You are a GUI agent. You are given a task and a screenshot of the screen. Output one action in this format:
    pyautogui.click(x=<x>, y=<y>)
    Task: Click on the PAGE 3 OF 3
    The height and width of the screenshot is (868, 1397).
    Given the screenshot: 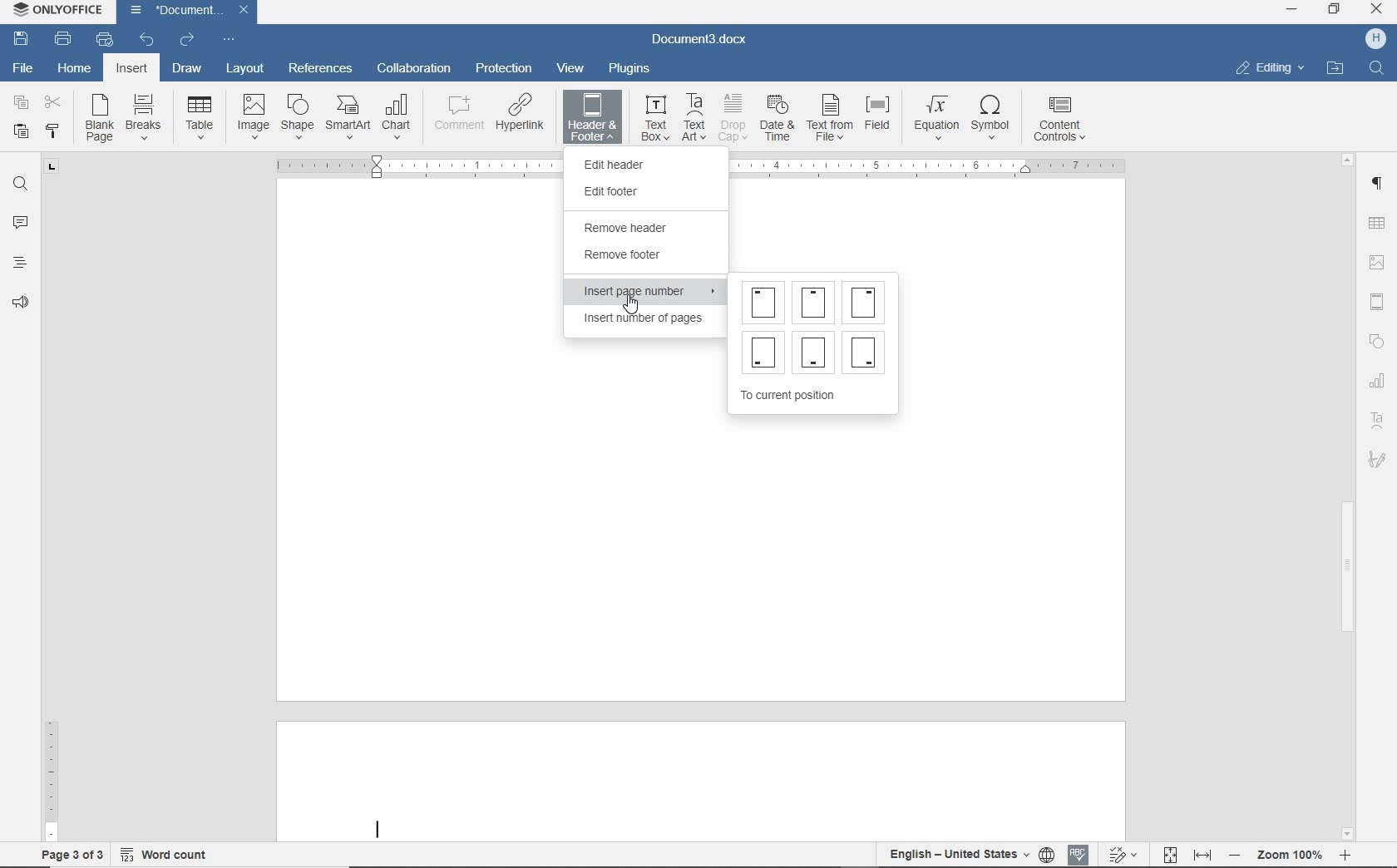 What is the action you would take?
    pyautogui.click(x=69, y=852)
    